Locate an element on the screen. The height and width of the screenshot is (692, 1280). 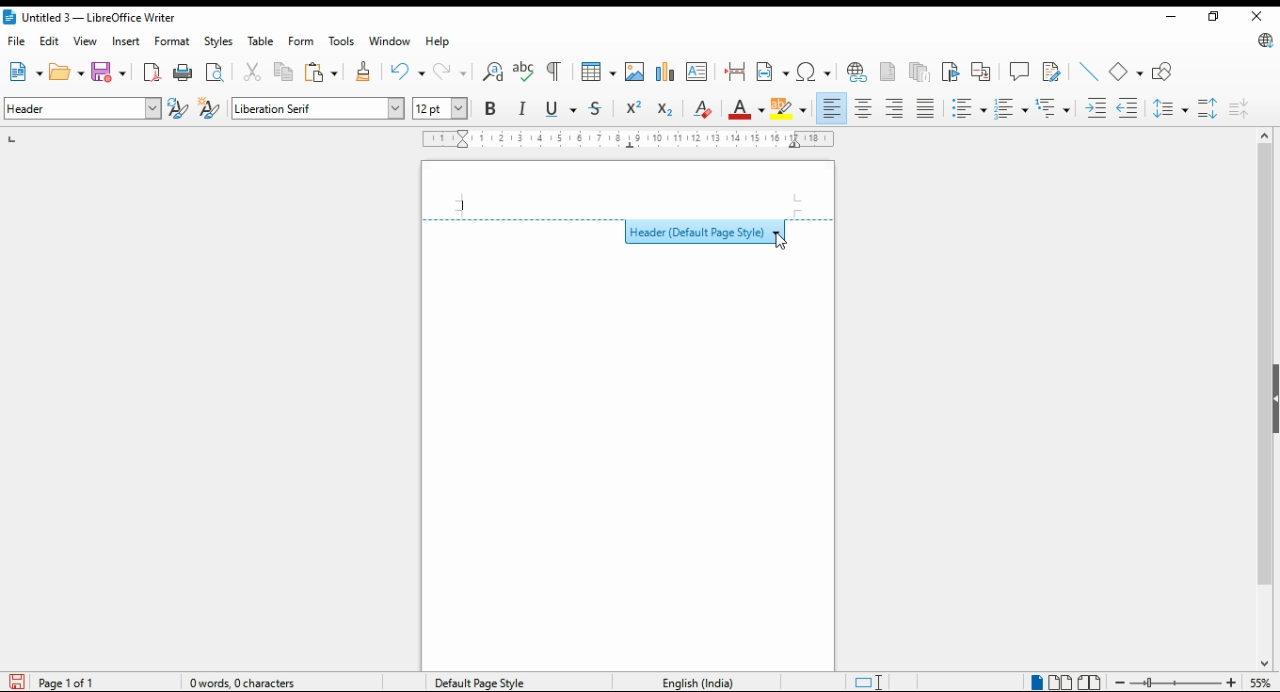
copy is located at coordinates (285, 73).